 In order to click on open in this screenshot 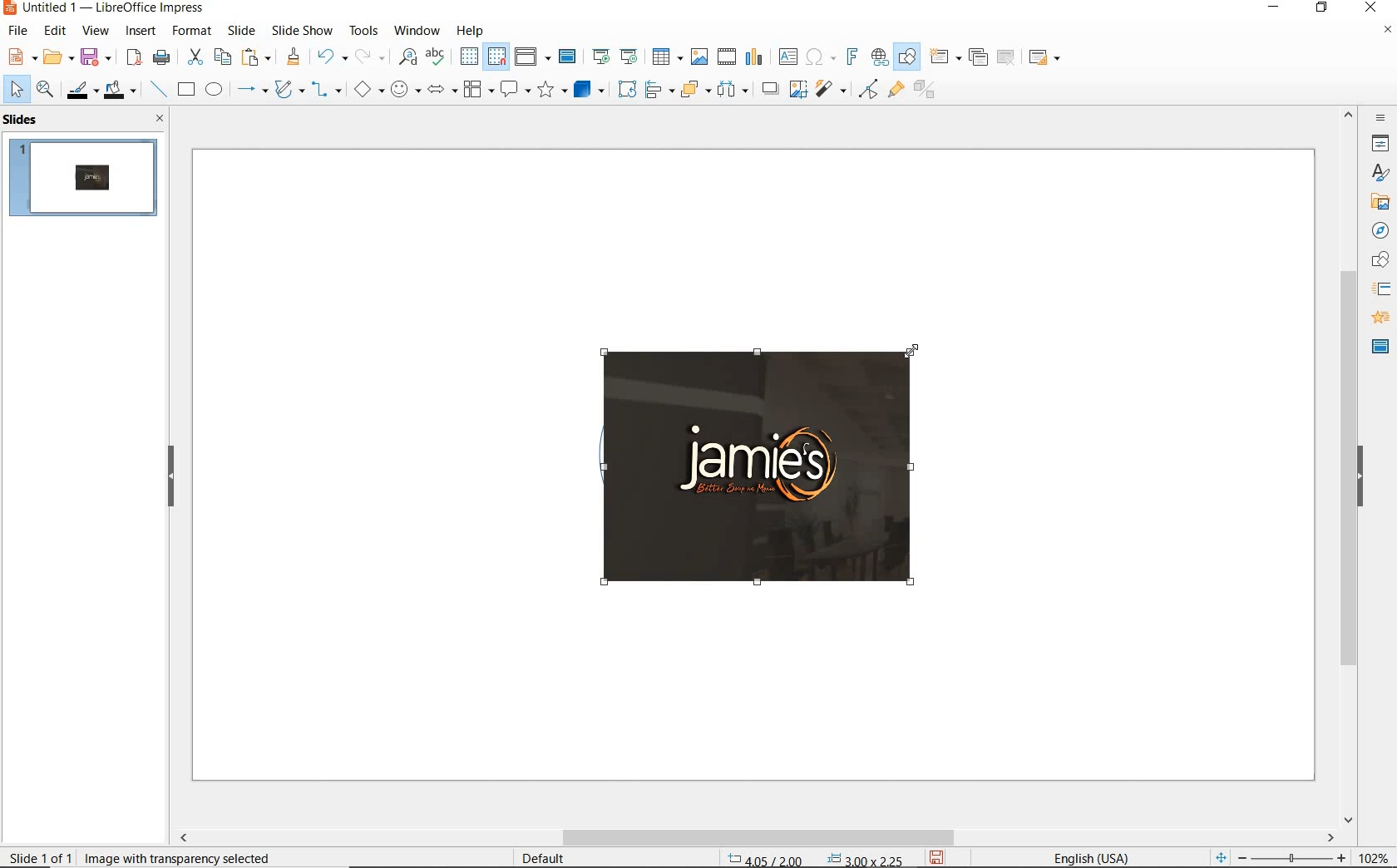, I will do `click(56, 57)`.